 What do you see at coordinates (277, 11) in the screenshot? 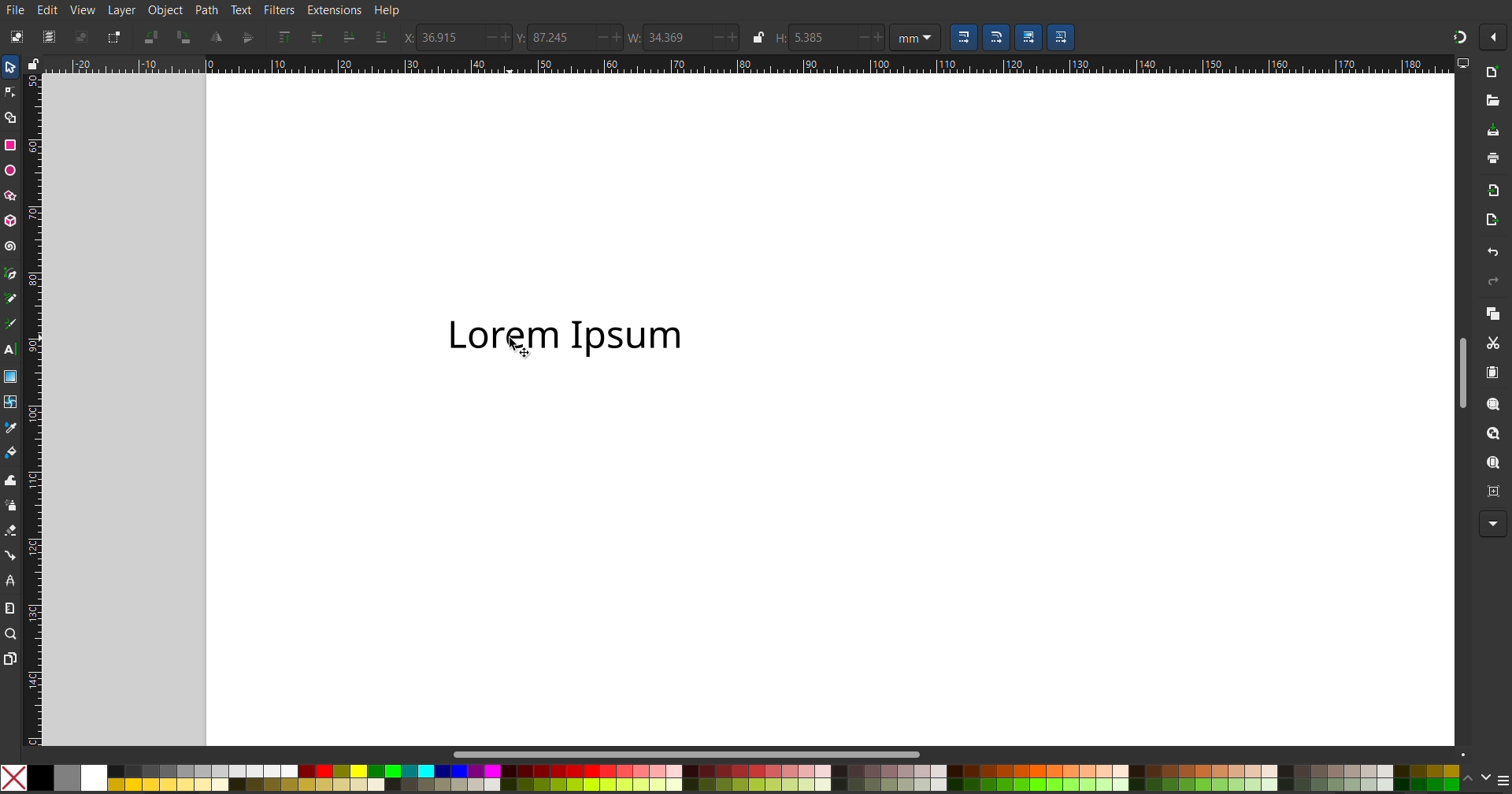
I see `Filters` at bounding box center [277, 11].